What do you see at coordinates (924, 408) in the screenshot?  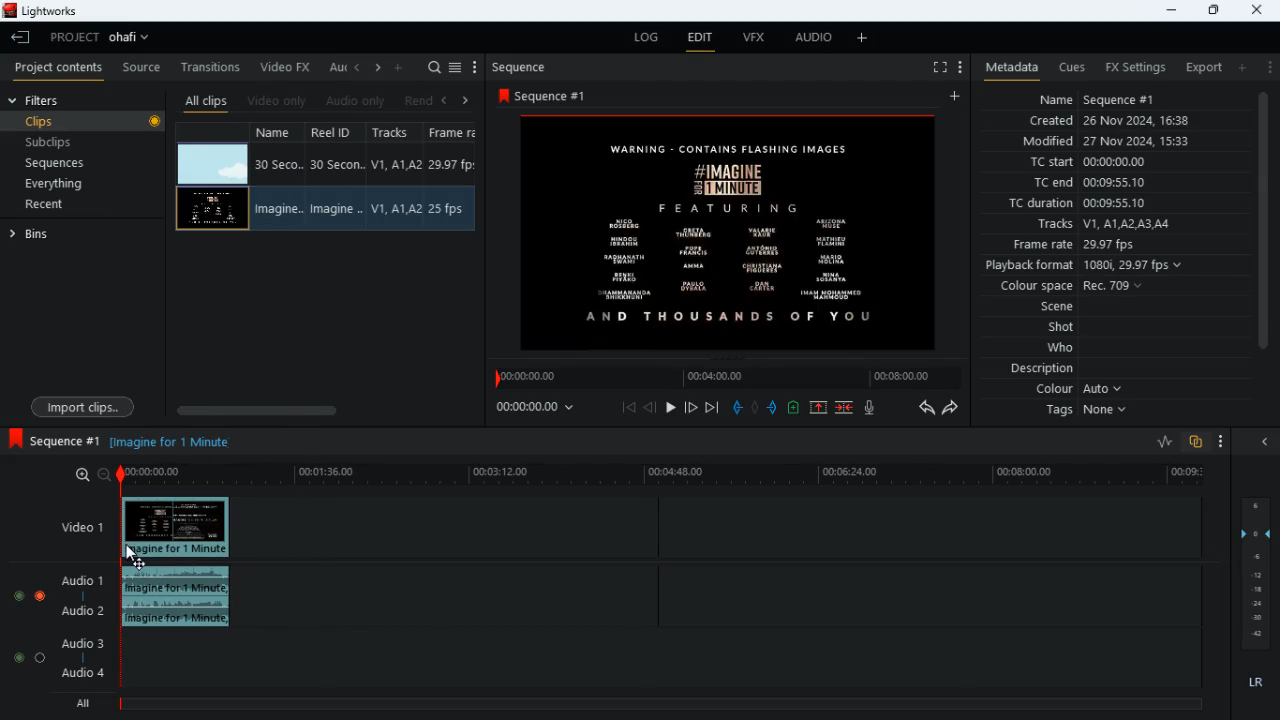 I see `backwards` at bounding box center [924, 408].